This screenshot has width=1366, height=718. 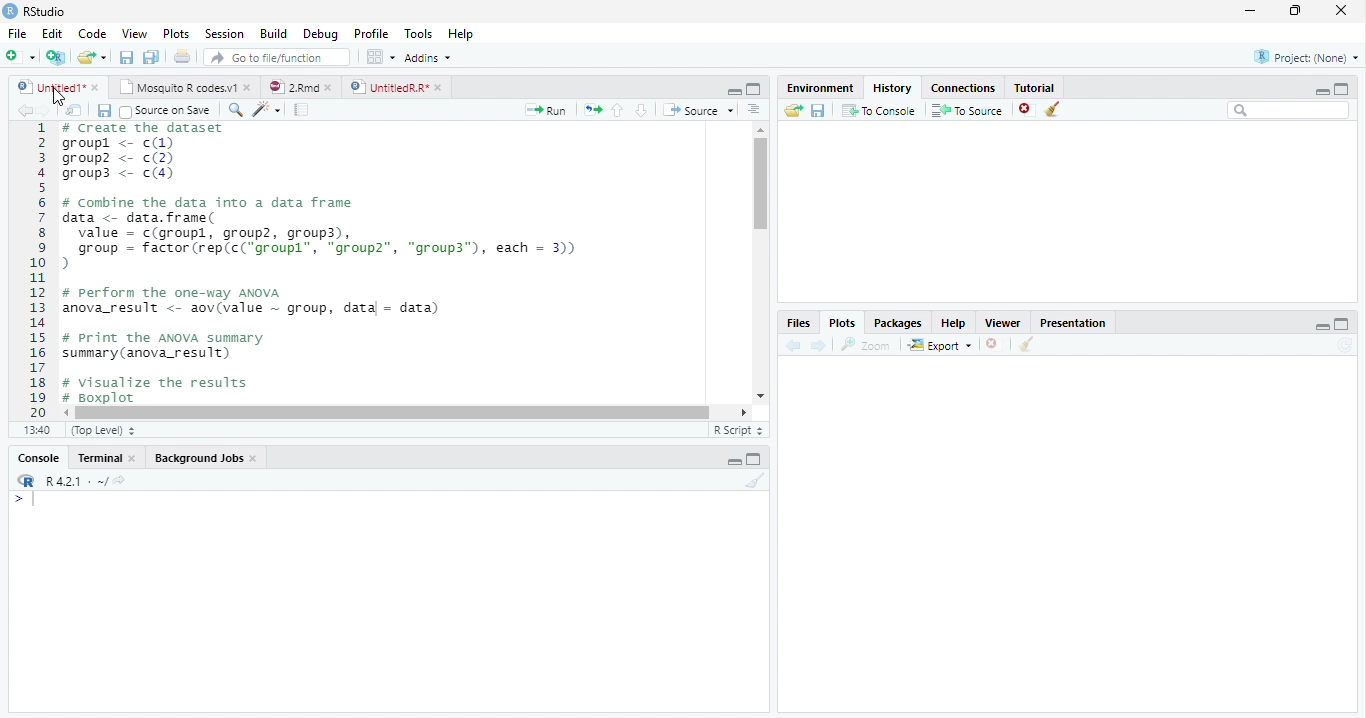 I want to click on New file, so click(x=19, y=56).